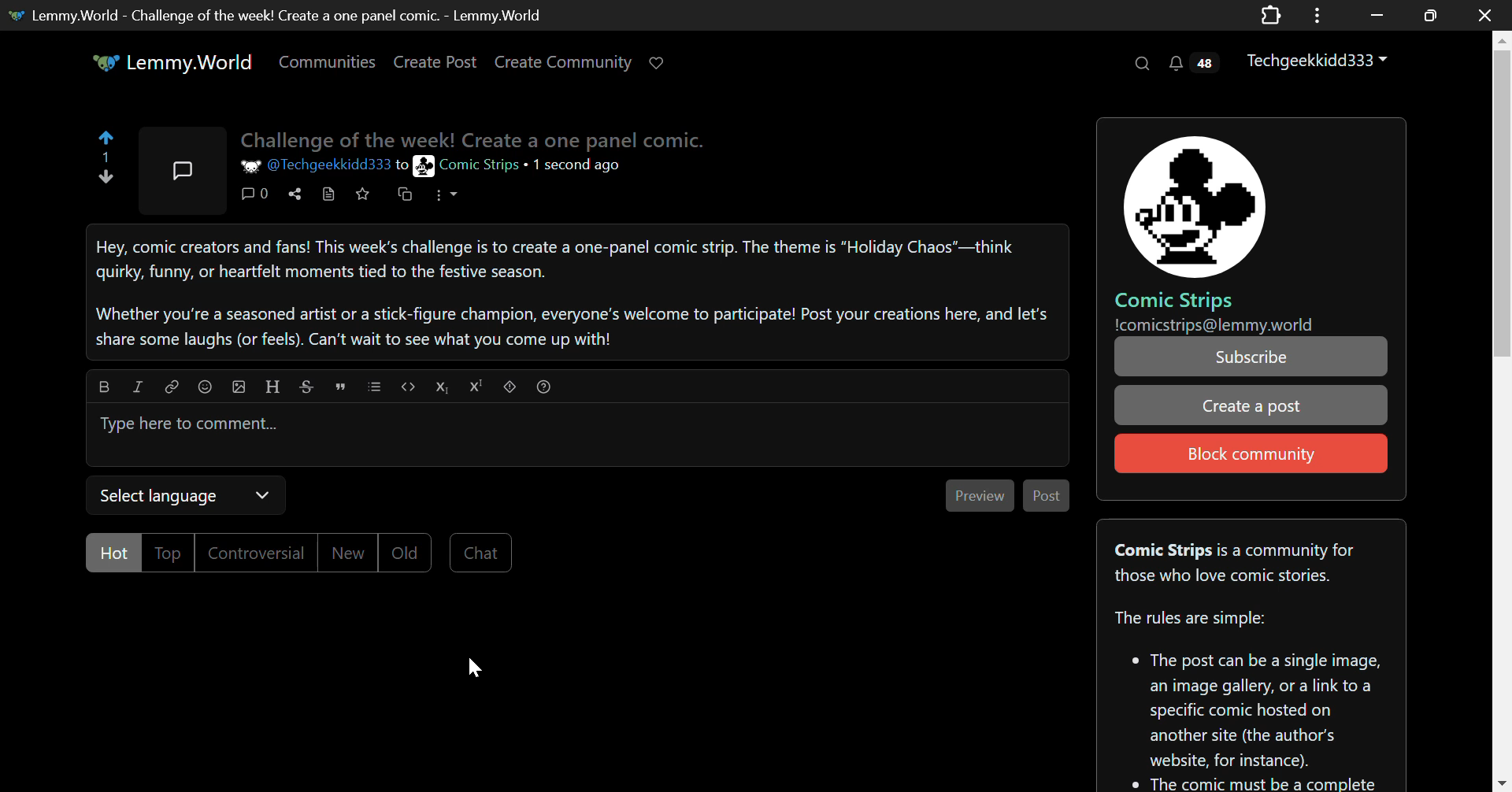  I want to click on link, so click(170, 384).